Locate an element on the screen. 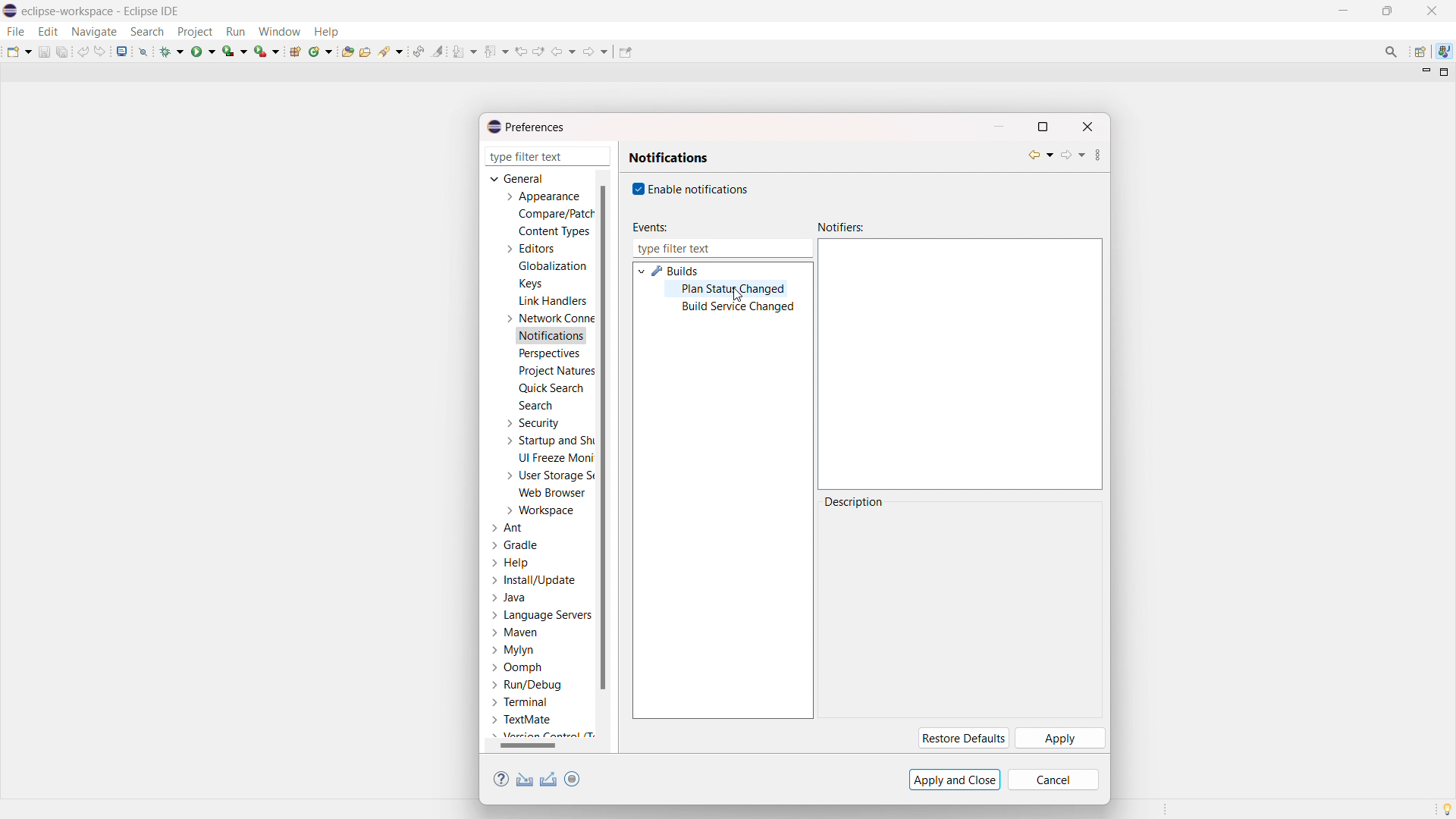  view next location is located at coordinates (538, 50).